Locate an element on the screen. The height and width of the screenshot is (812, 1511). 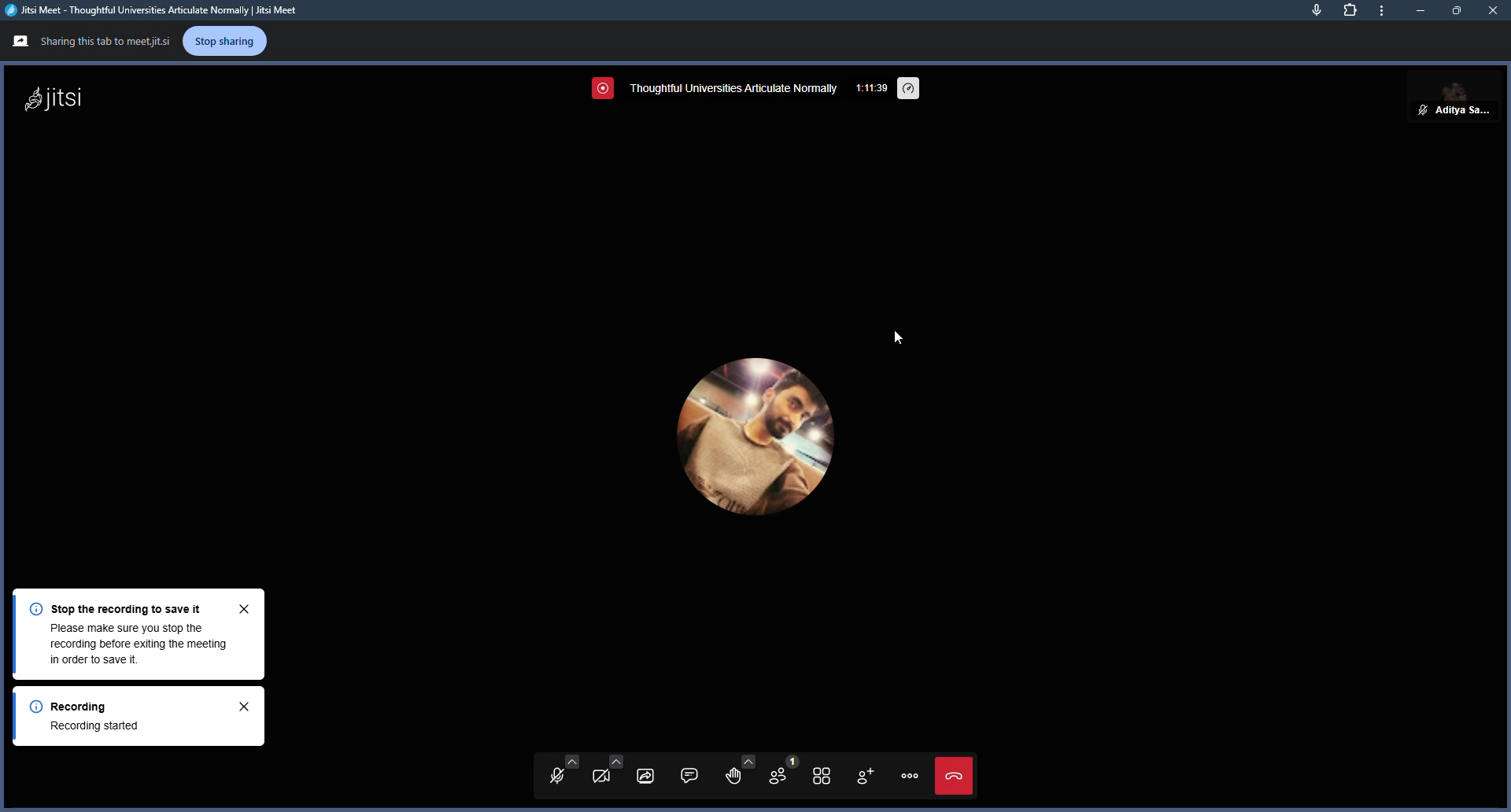
close is located at coordinates (246, 706).